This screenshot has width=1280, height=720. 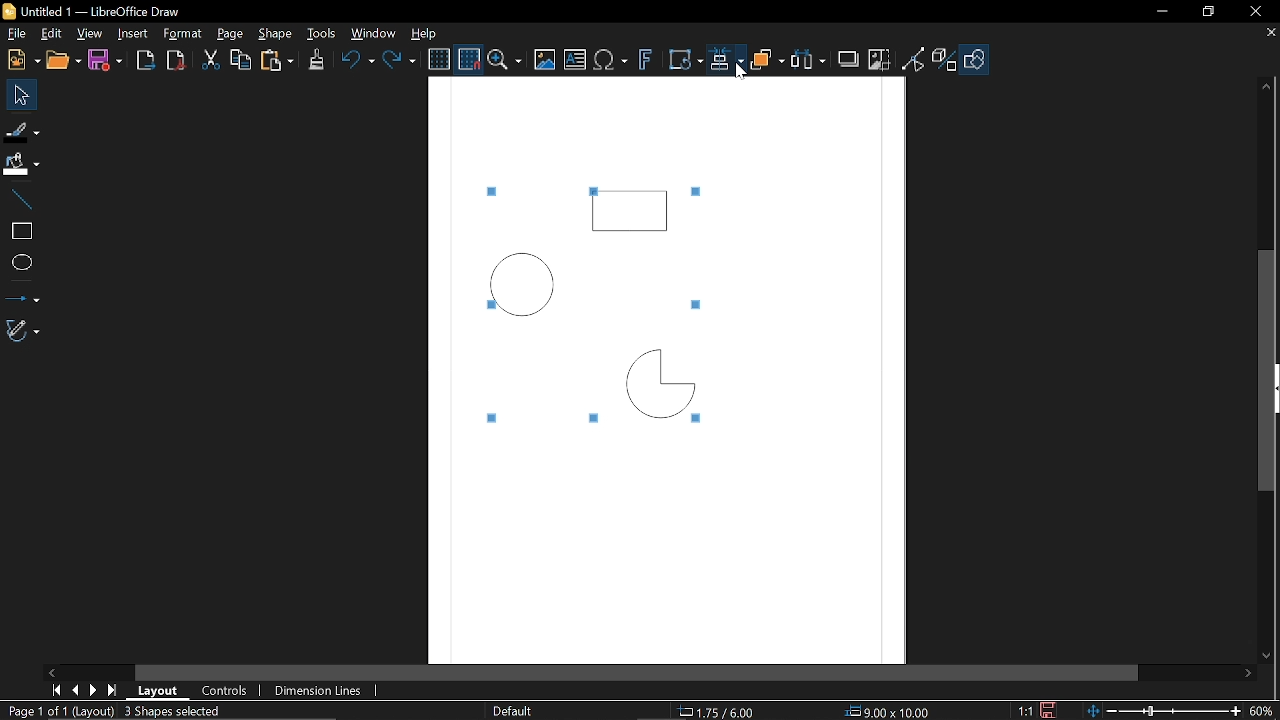 What do you see at coordinates (421, 34) in the screenshot?
I see `Help` at bounding box center [421, 34].